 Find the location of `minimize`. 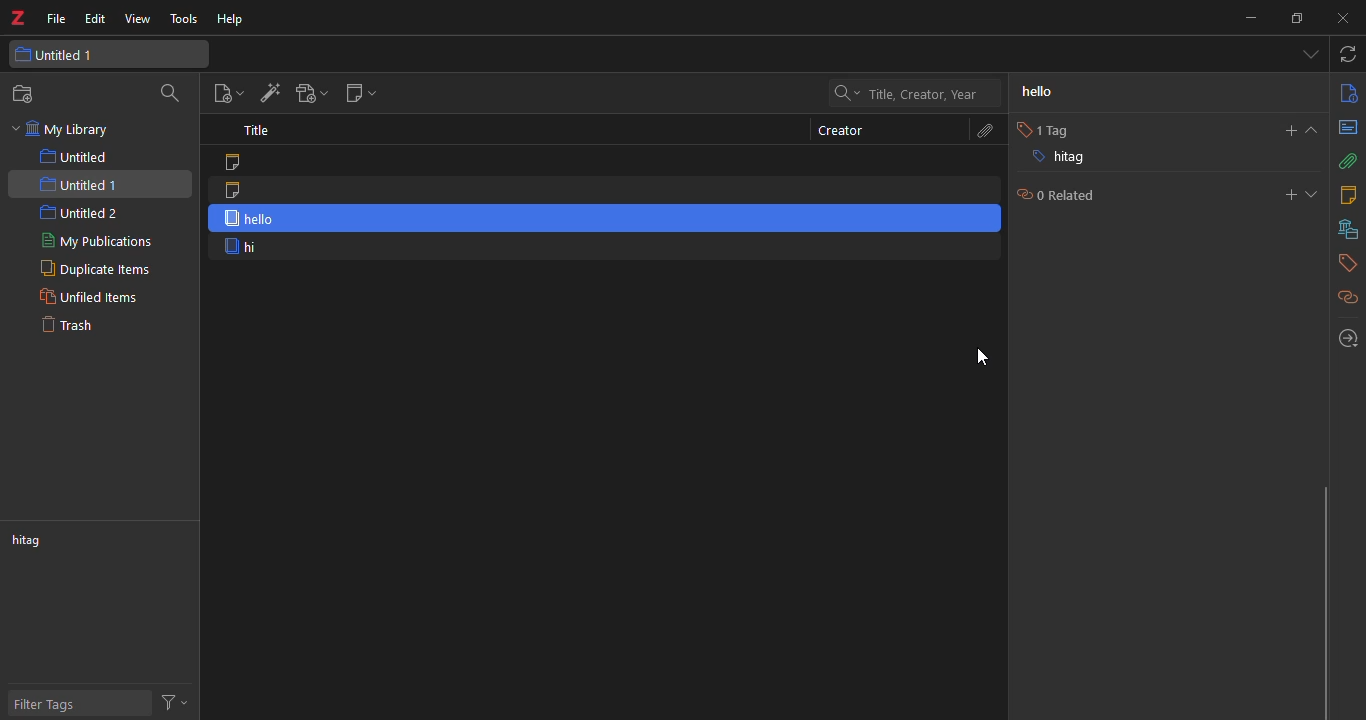

minimize is located at coordinates (1250, 17).